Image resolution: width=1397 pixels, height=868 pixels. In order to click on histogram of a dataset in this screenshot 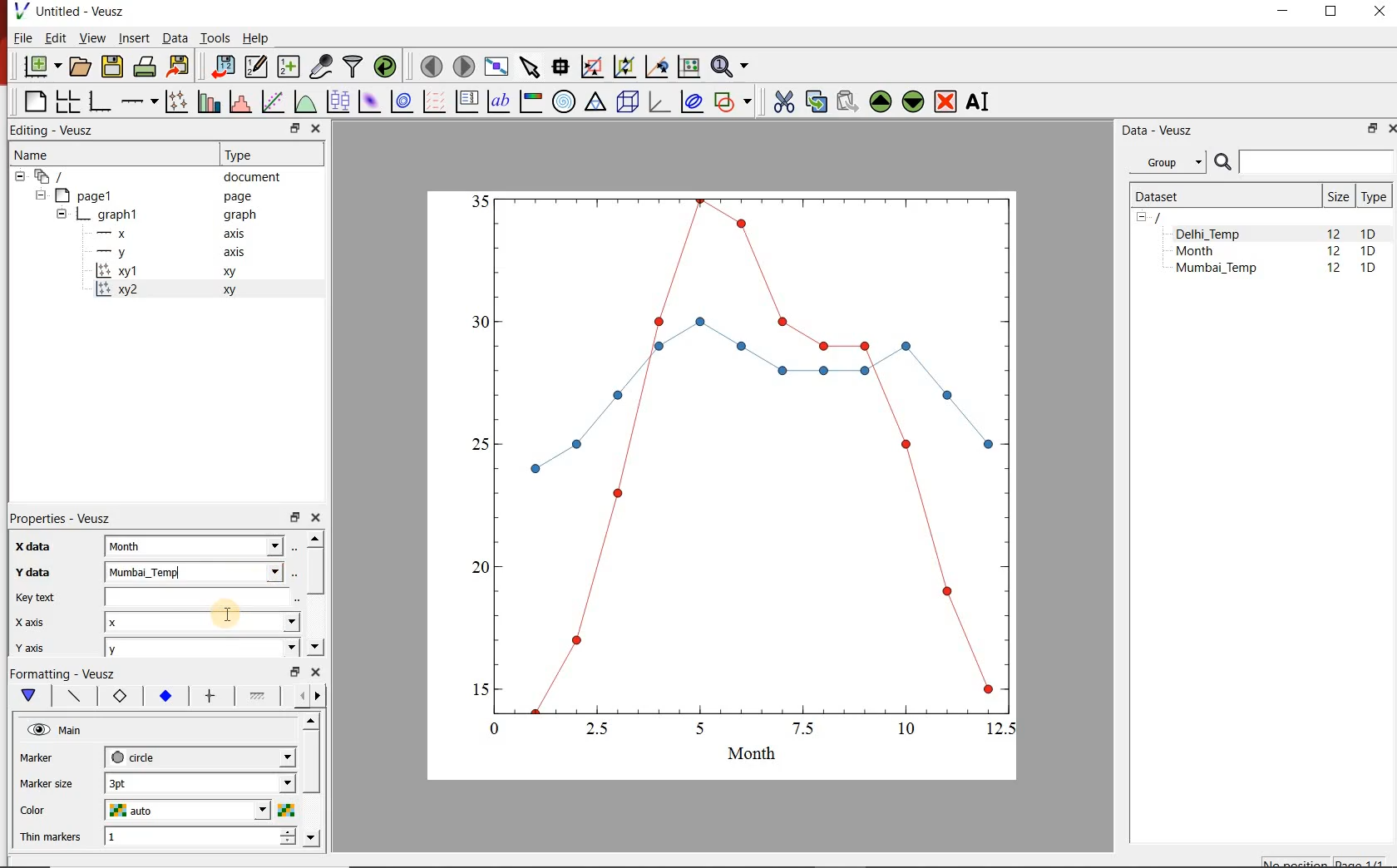, I will do `click(239, 101)`.